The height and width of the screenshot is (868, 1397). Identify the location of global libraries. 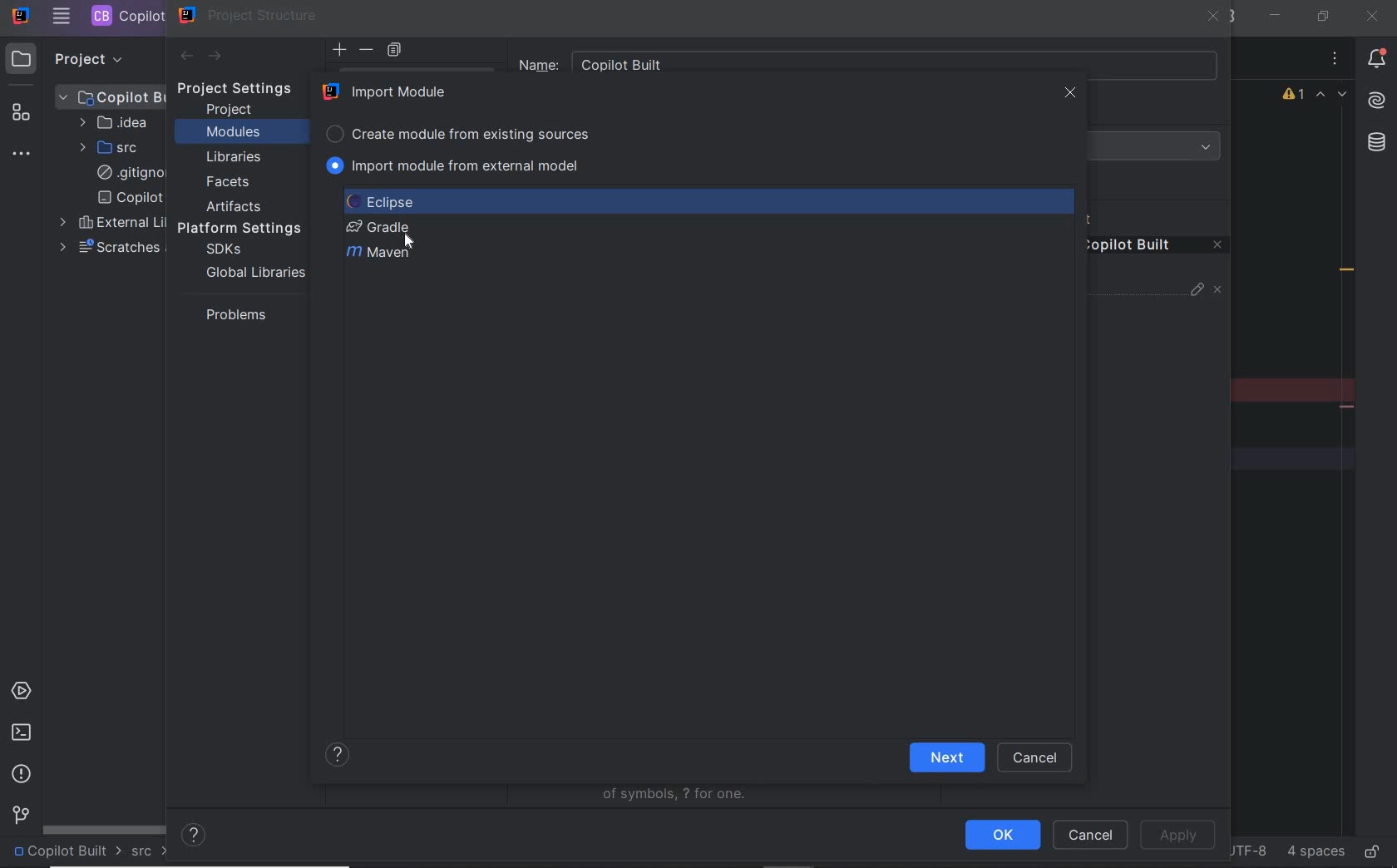
(253, 272).